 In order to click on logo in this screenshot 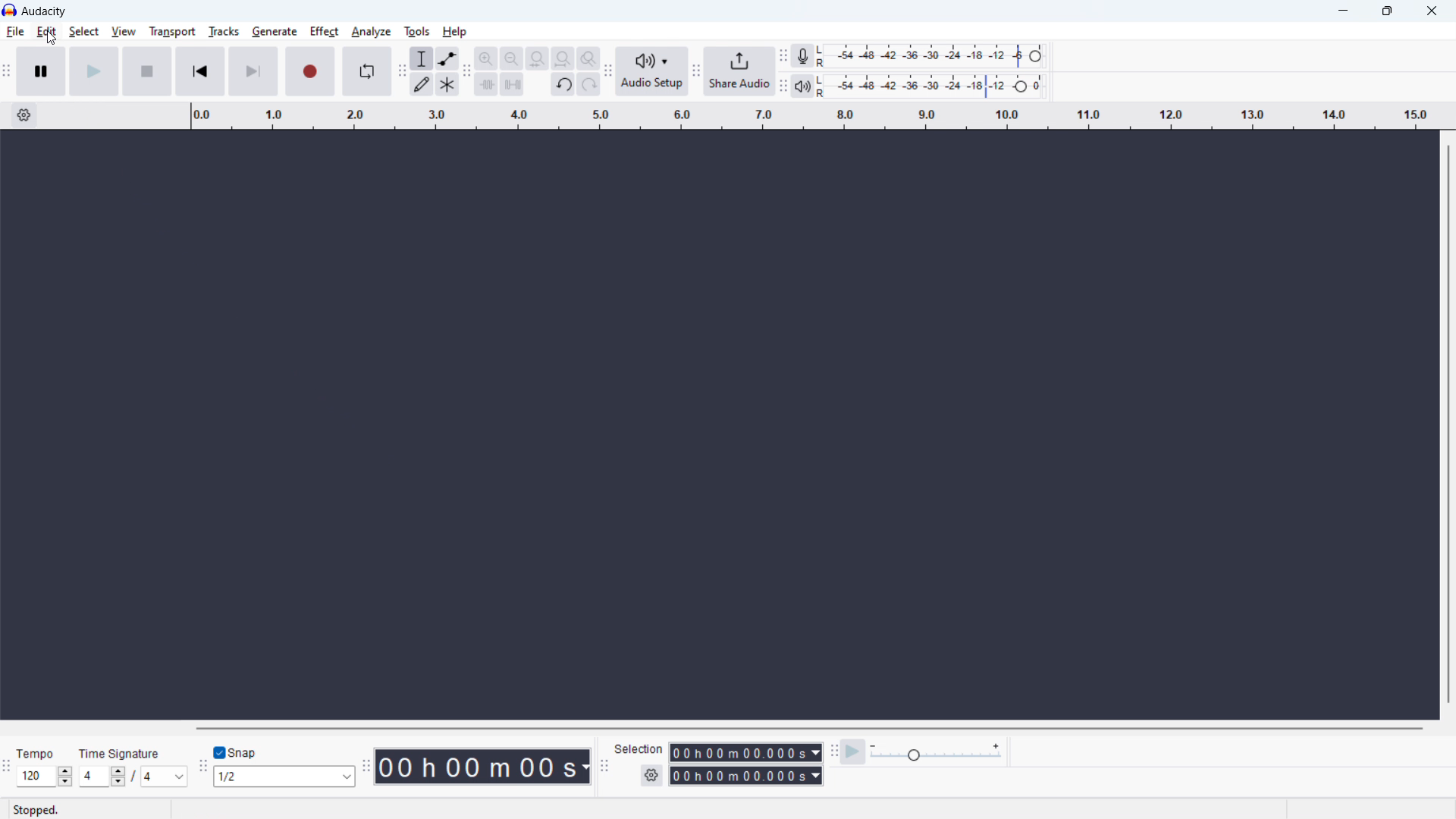, I will do `click(10, 10)`.